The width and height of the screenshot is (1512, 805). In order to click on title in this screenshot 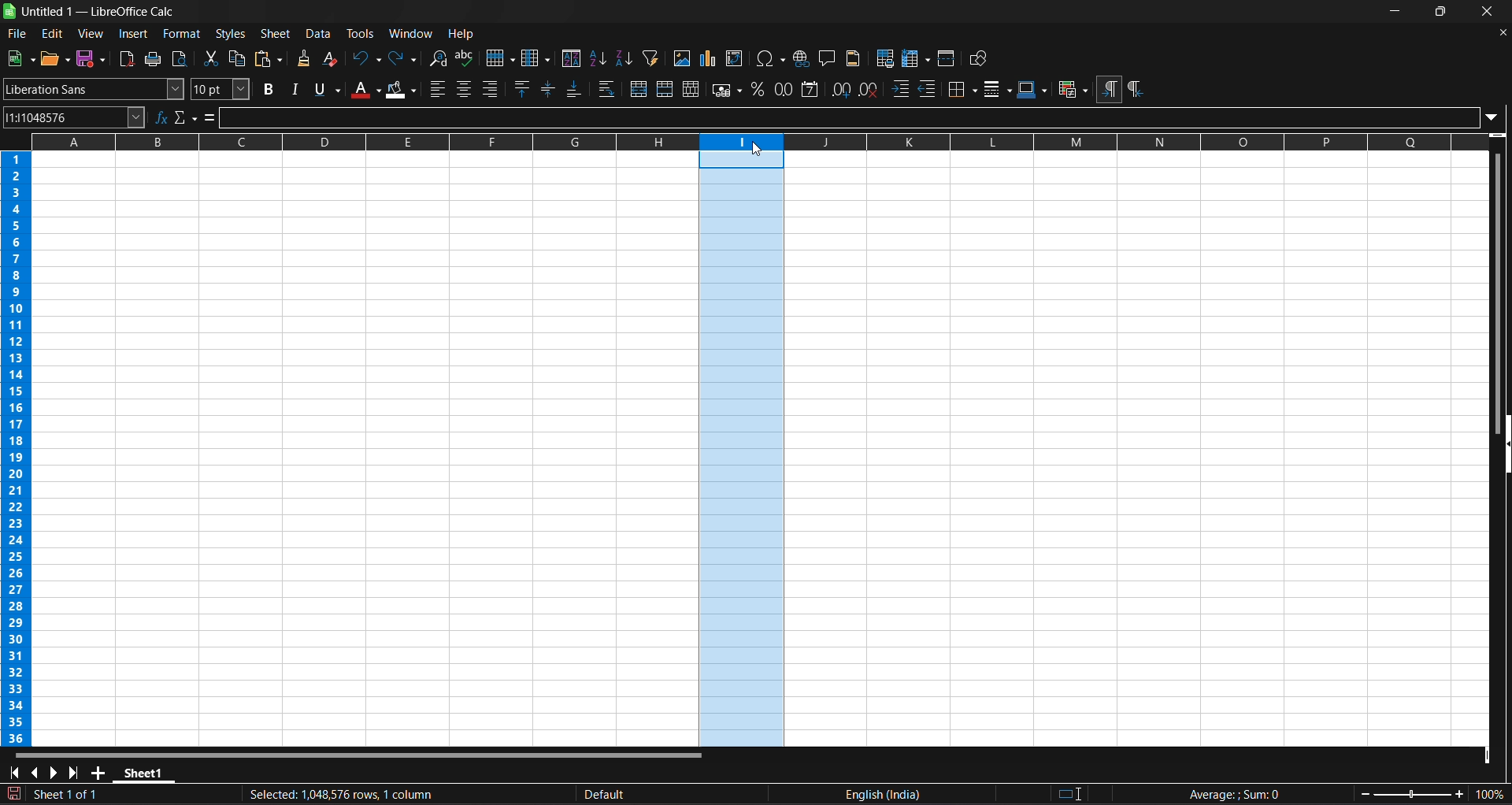, I will do `click(98, 11)`.